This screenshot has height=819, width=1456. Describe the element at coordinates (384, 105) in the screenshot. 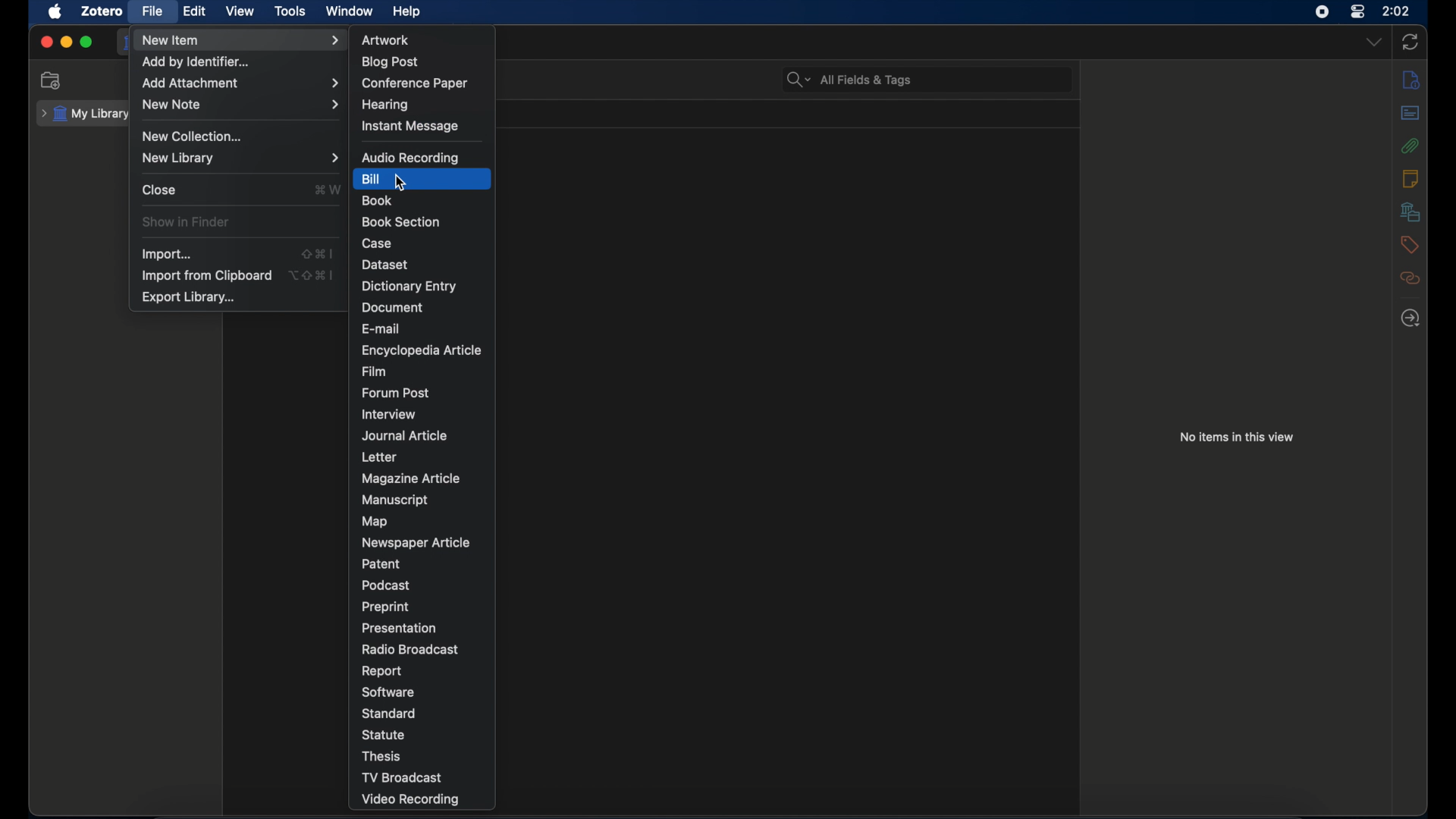

I see `hearing` at that location.